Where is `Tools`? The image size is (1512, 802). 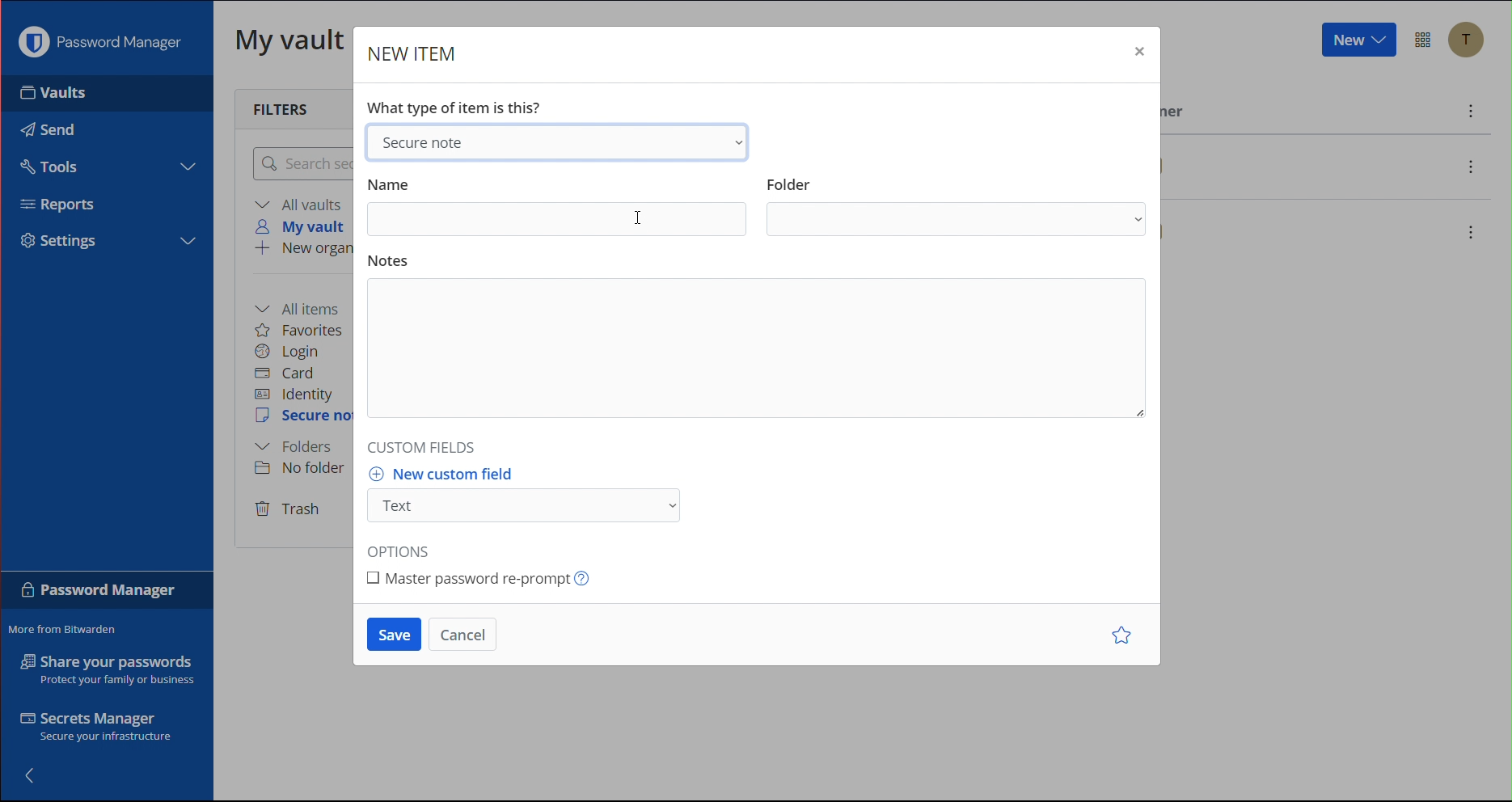
Tools is located at coordinates (55, 167).